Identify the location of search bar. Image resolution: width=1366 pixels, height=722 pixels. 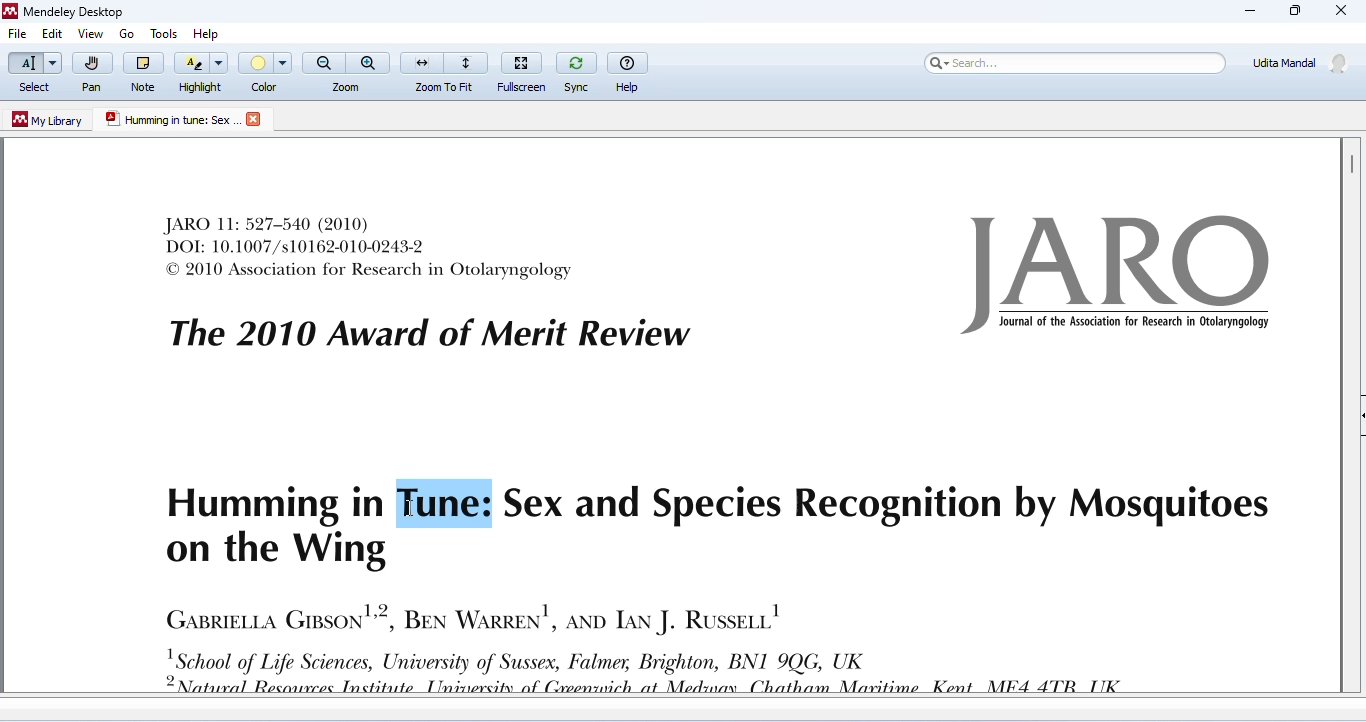
(1072, 62).